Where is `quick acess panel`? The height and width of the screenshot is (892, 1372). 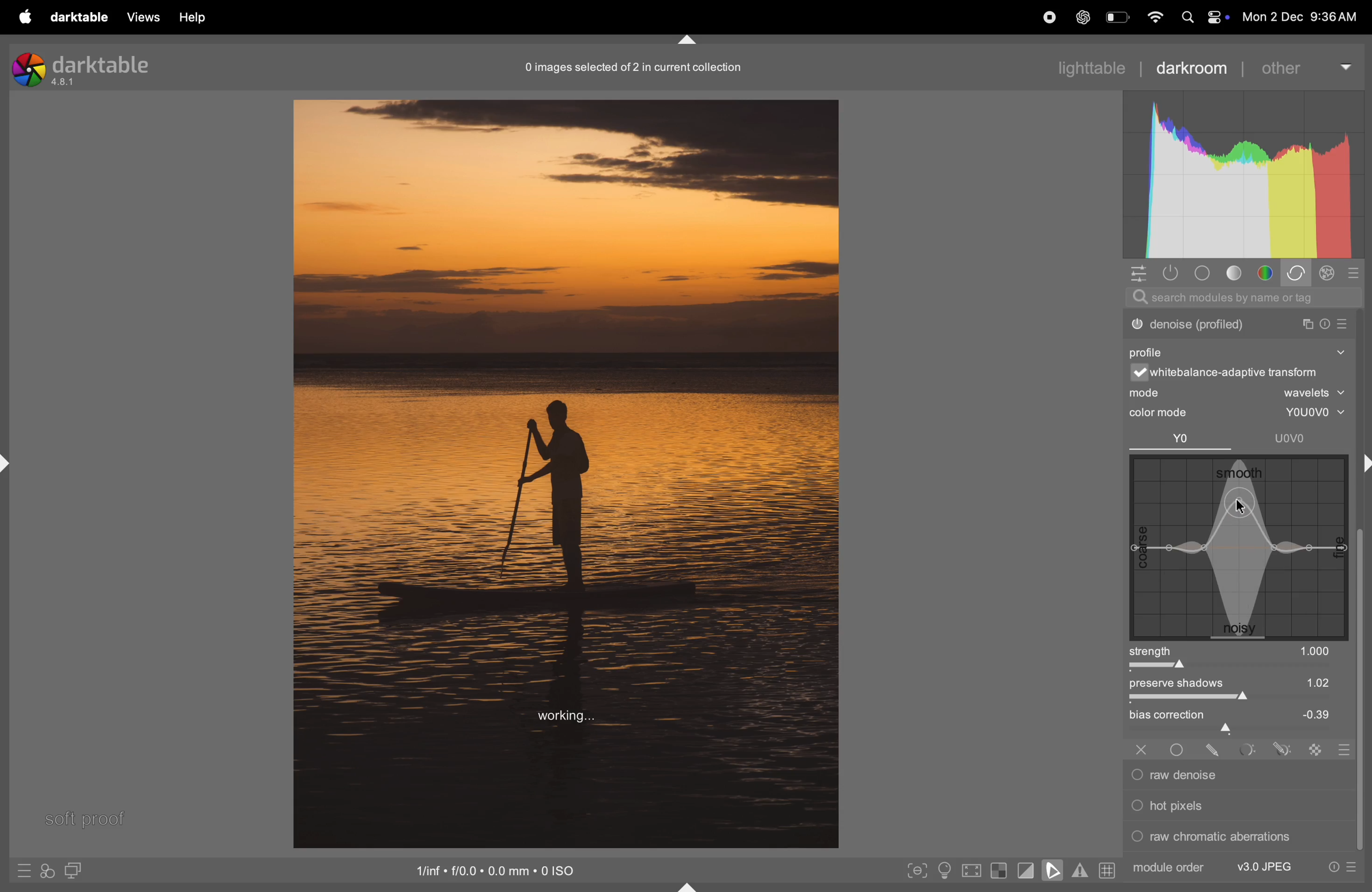
quick acess panel is located at coordinates (1141, 274).